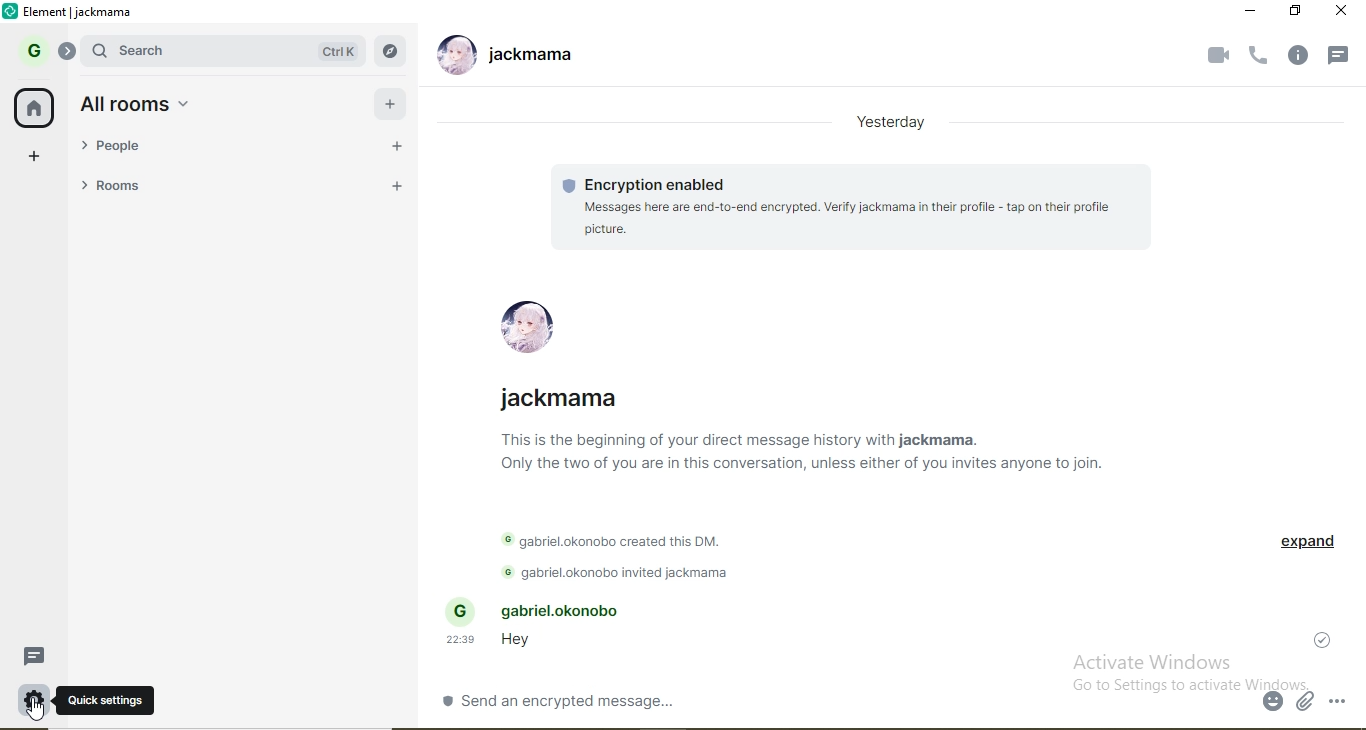 The height and width of the screenshot is (730, 1366). Describe the element at coordinates (1155, 661) in the screenshot. I see `Activate Windows` at that location.